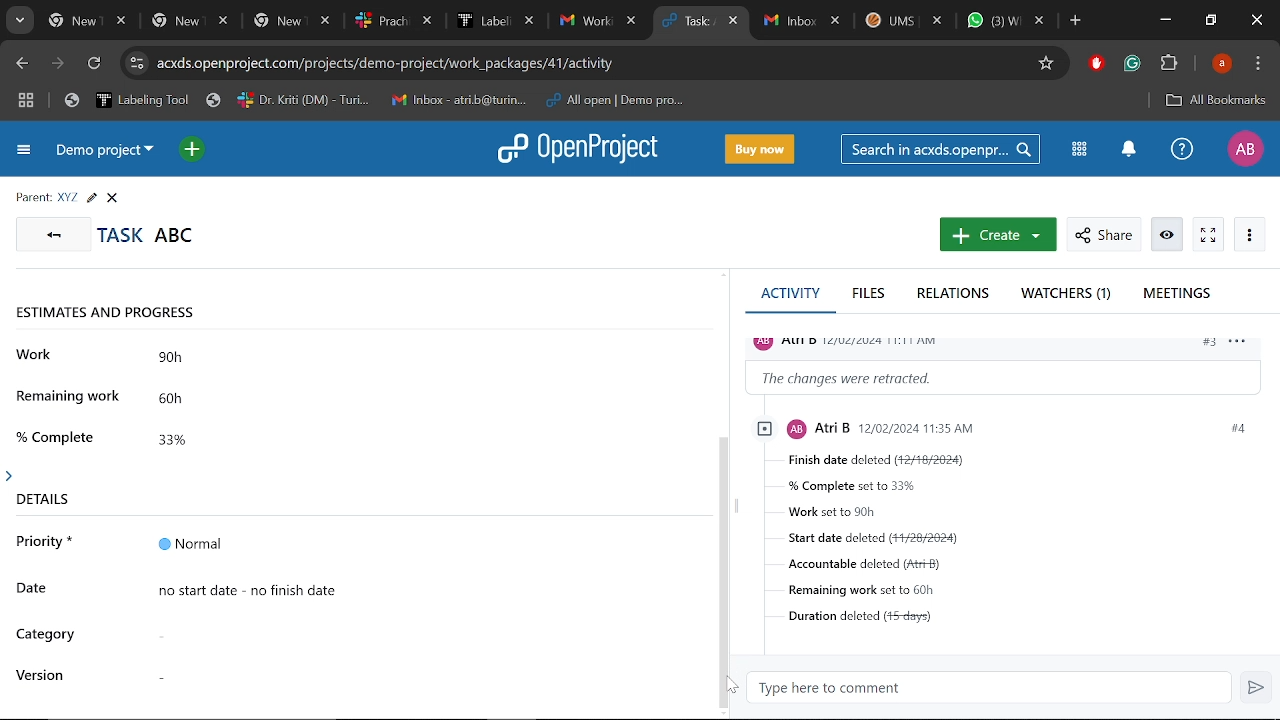 The image size is (1280, 720). Describe the element at coordinates (956, 427) in the screenshot. I see `profile` at that location.